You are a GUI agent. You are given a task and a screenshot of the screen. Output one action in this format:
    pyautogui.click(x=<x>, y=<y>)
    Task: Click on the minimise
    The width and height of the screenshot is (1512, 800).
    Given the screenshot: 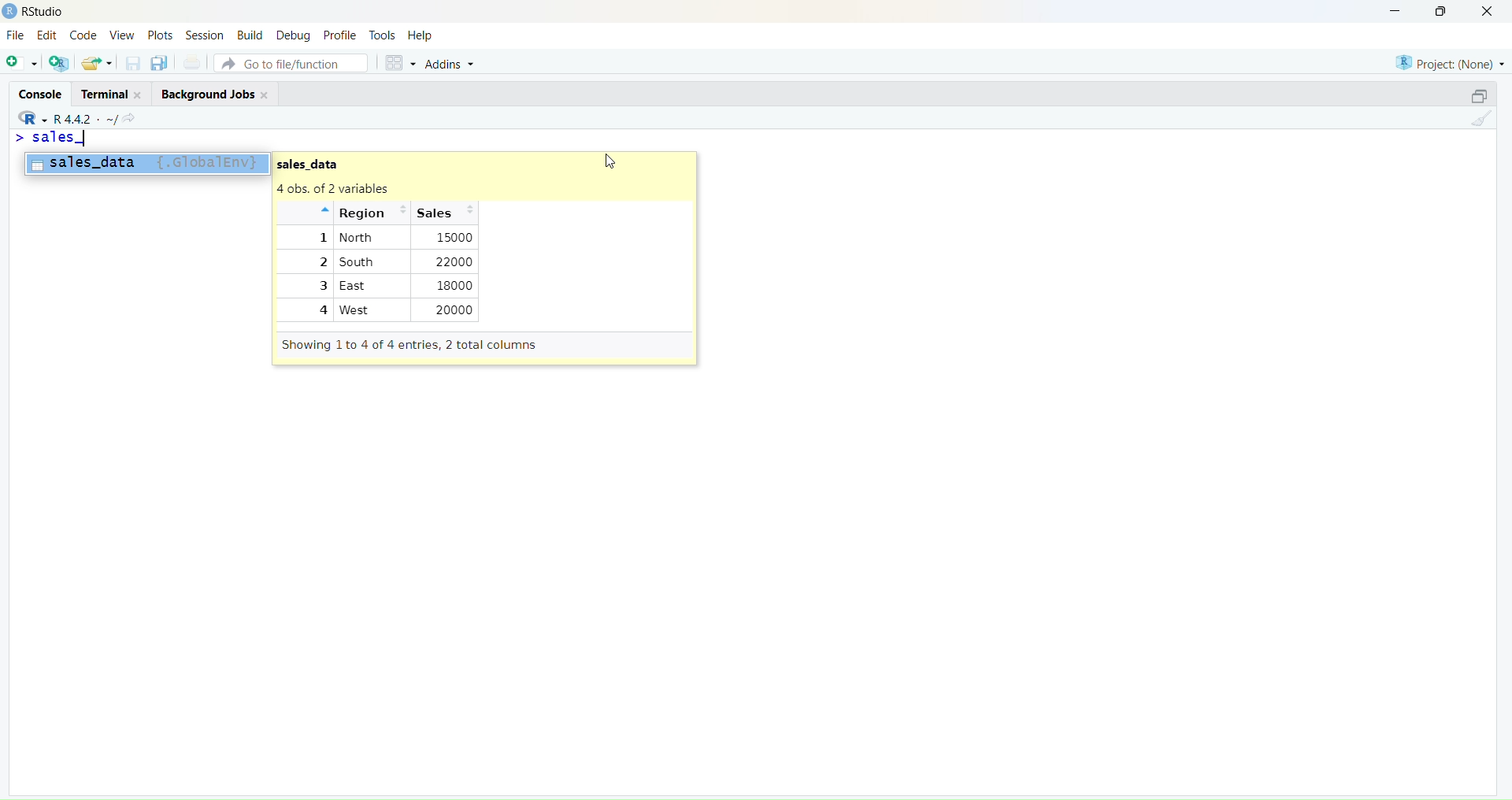 What is the action you would take?
    pyautogui.click(x=1385, y=9)
    